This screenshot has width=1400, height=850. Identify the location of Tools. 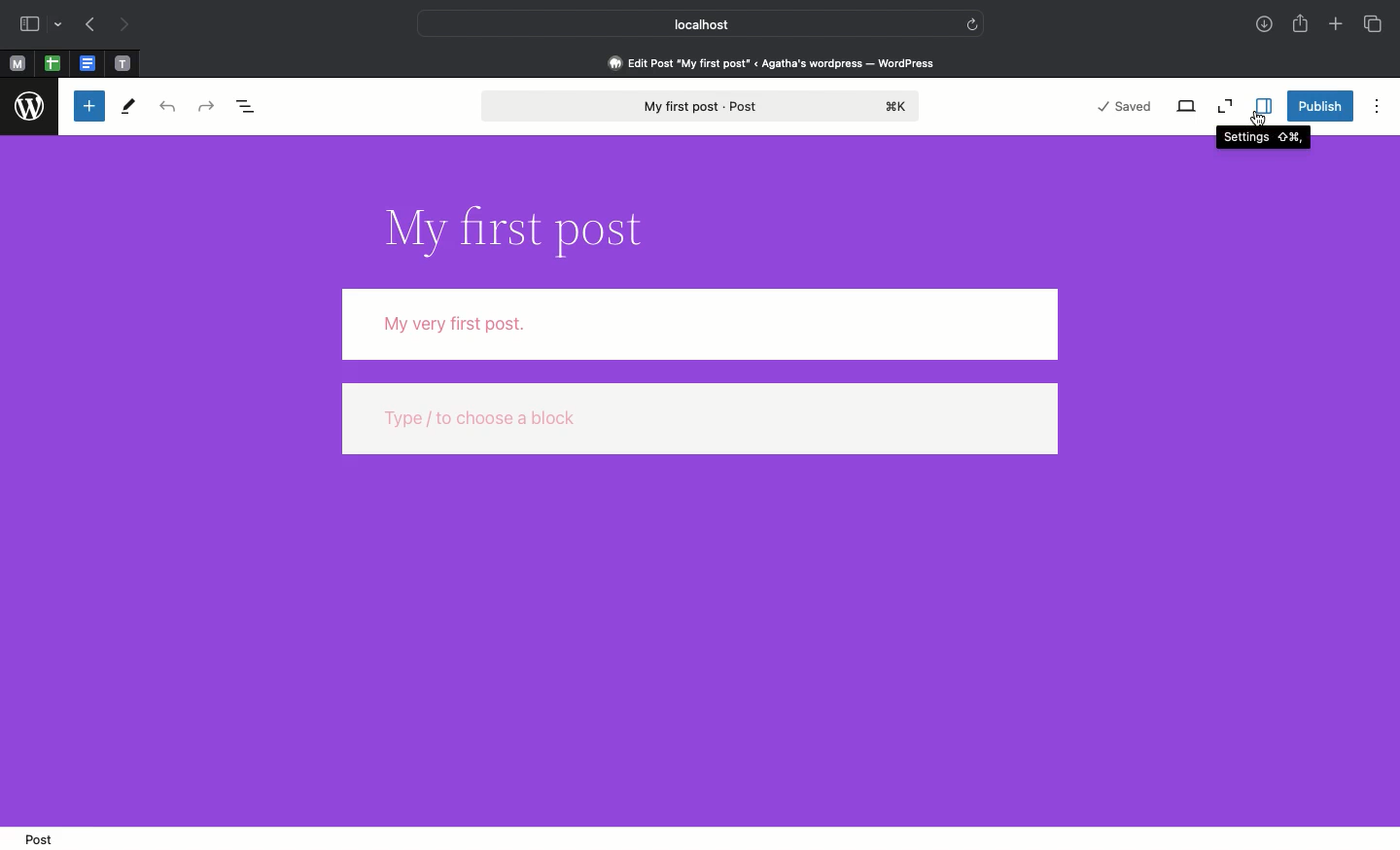
(130, 107).